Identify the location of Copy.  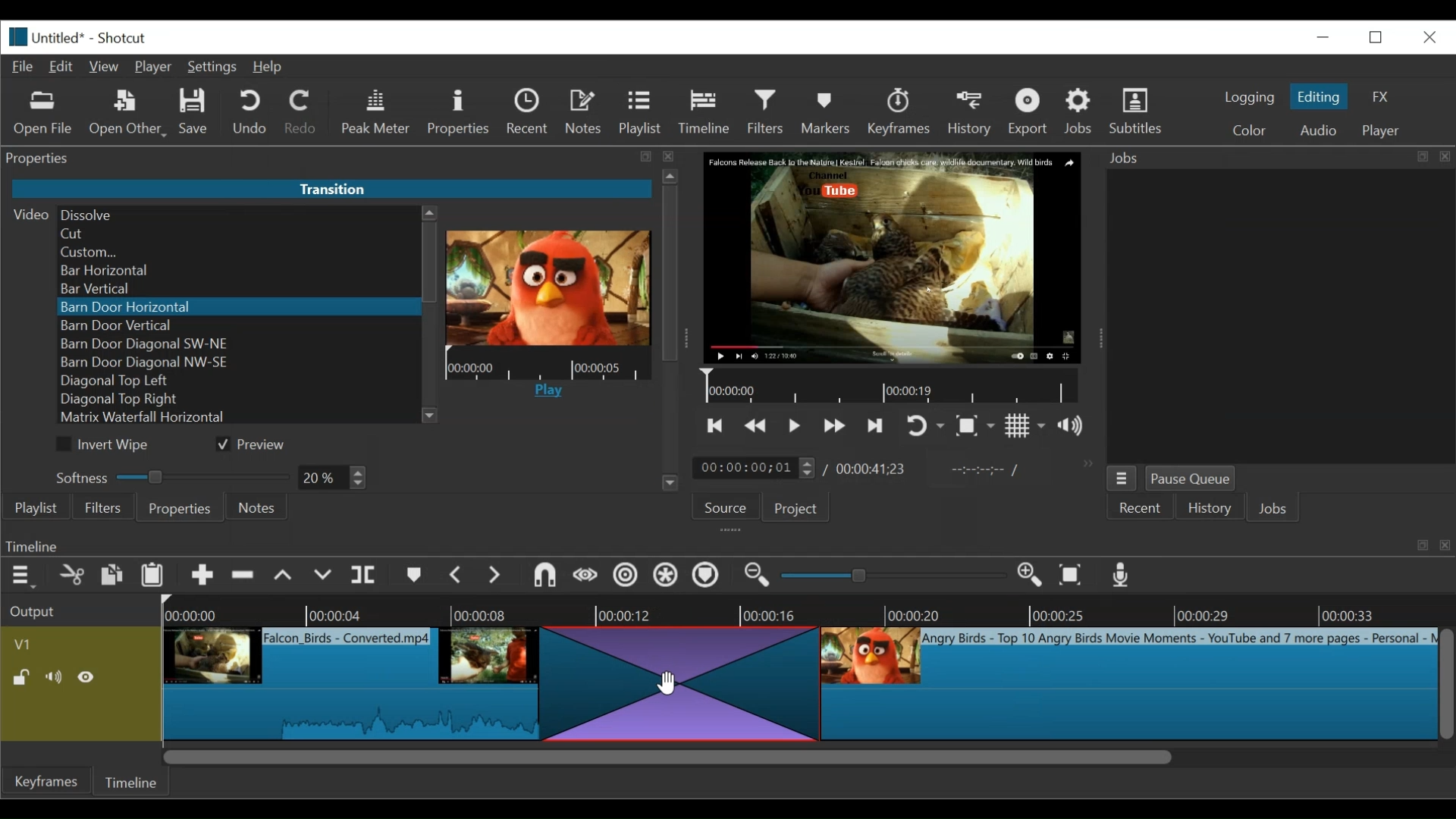
(113, 574).